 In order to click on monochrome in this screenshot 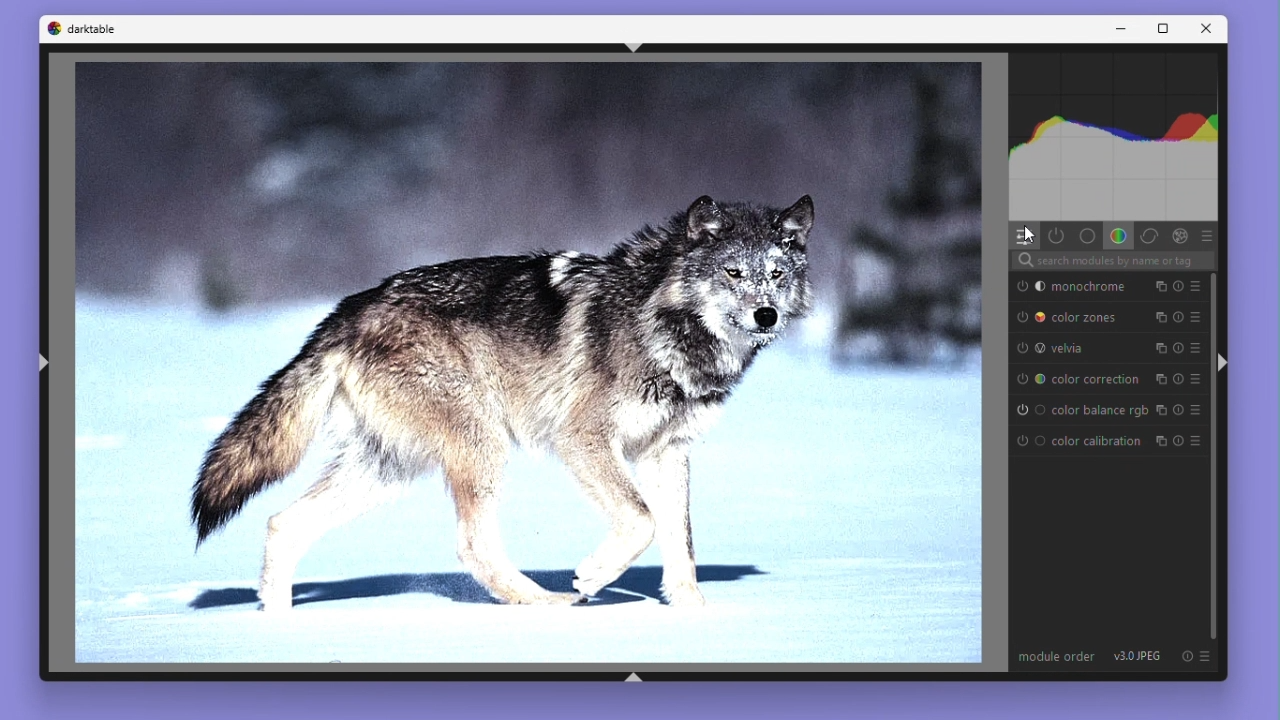, I will do `click(1078, 287)`.